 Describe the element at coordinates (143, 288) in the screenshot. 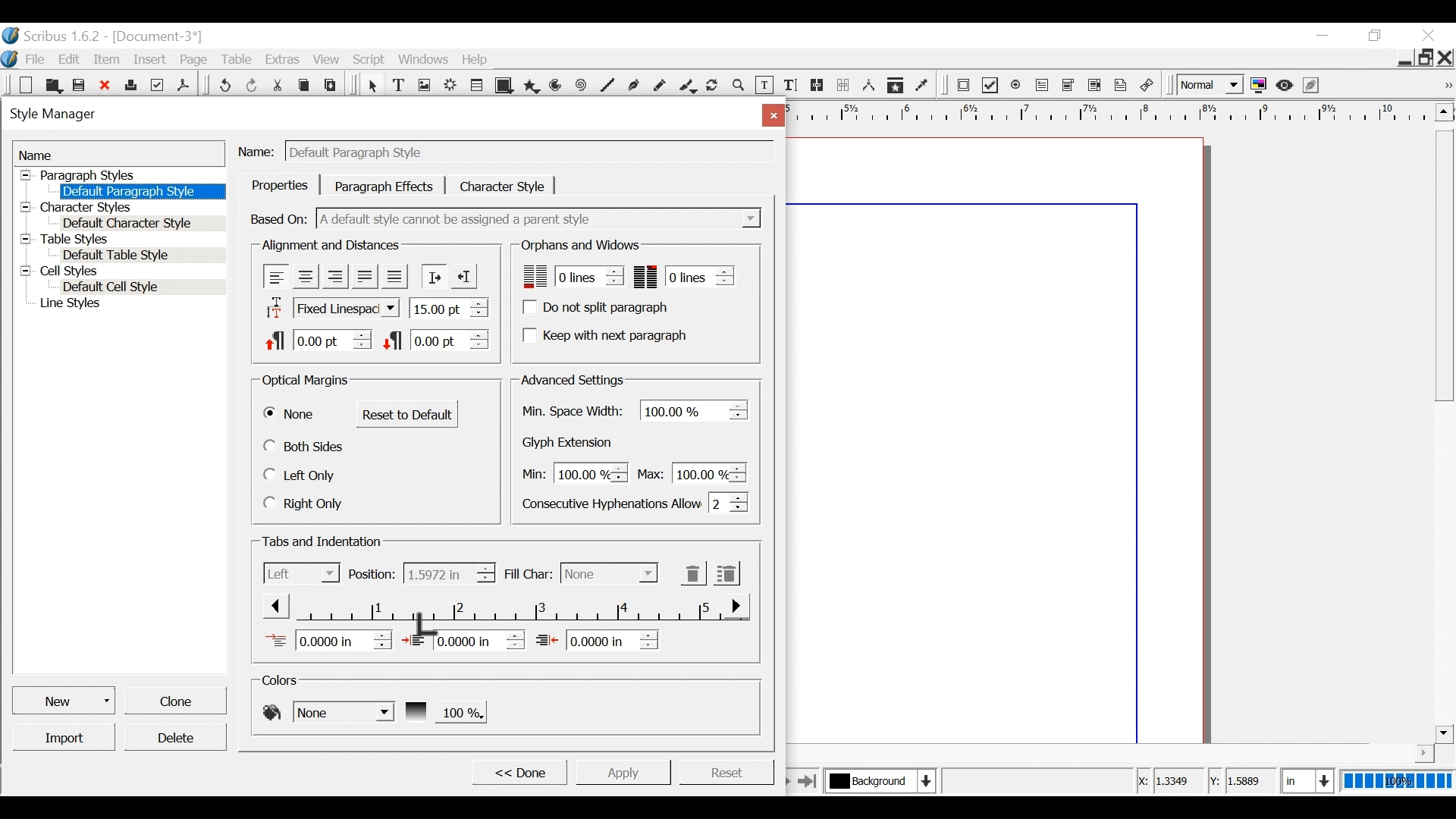

I see `Default Cell Style` at that location.